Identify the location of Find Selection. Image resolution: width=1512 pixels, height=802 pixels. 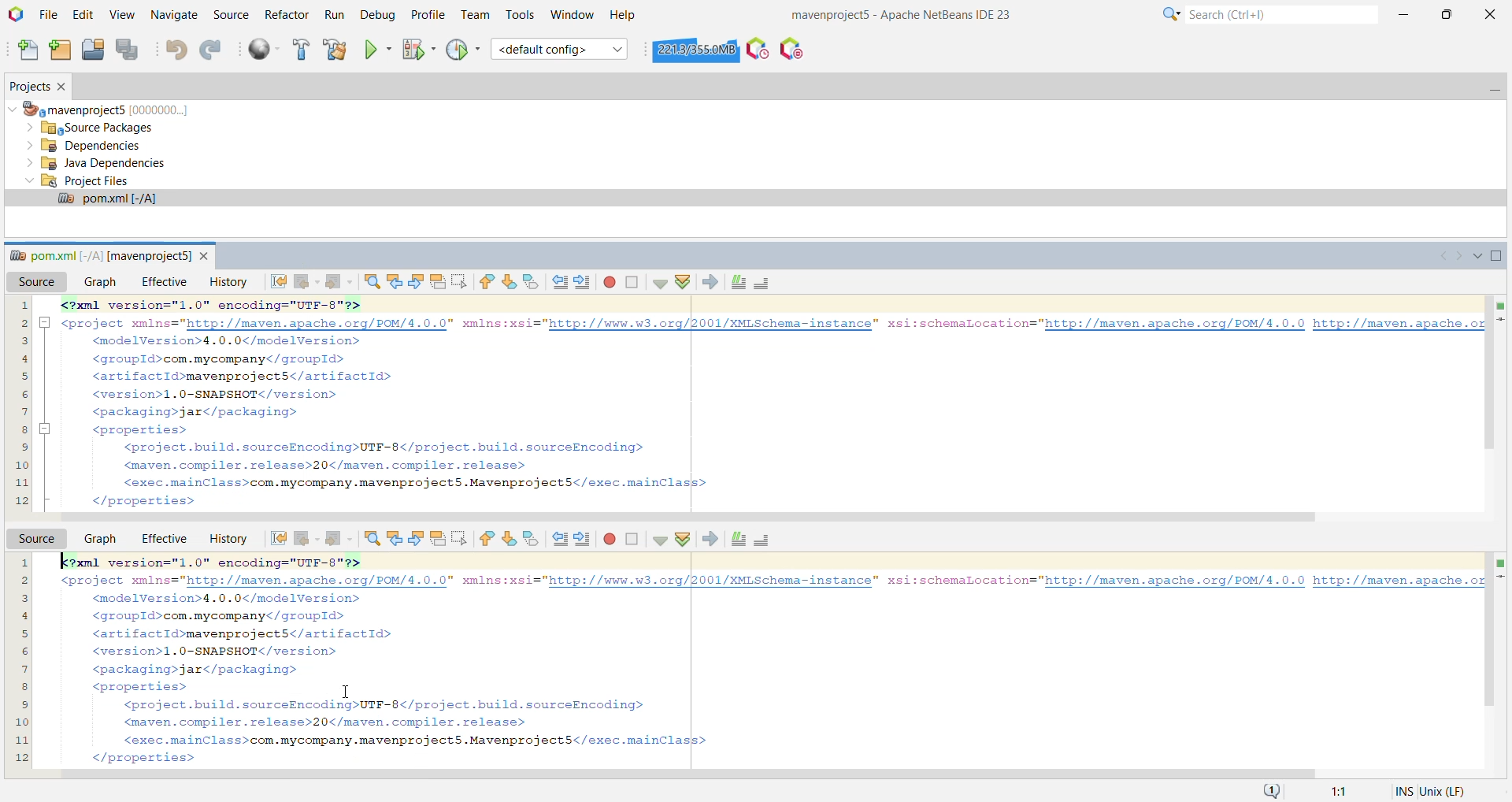
(371, 539).